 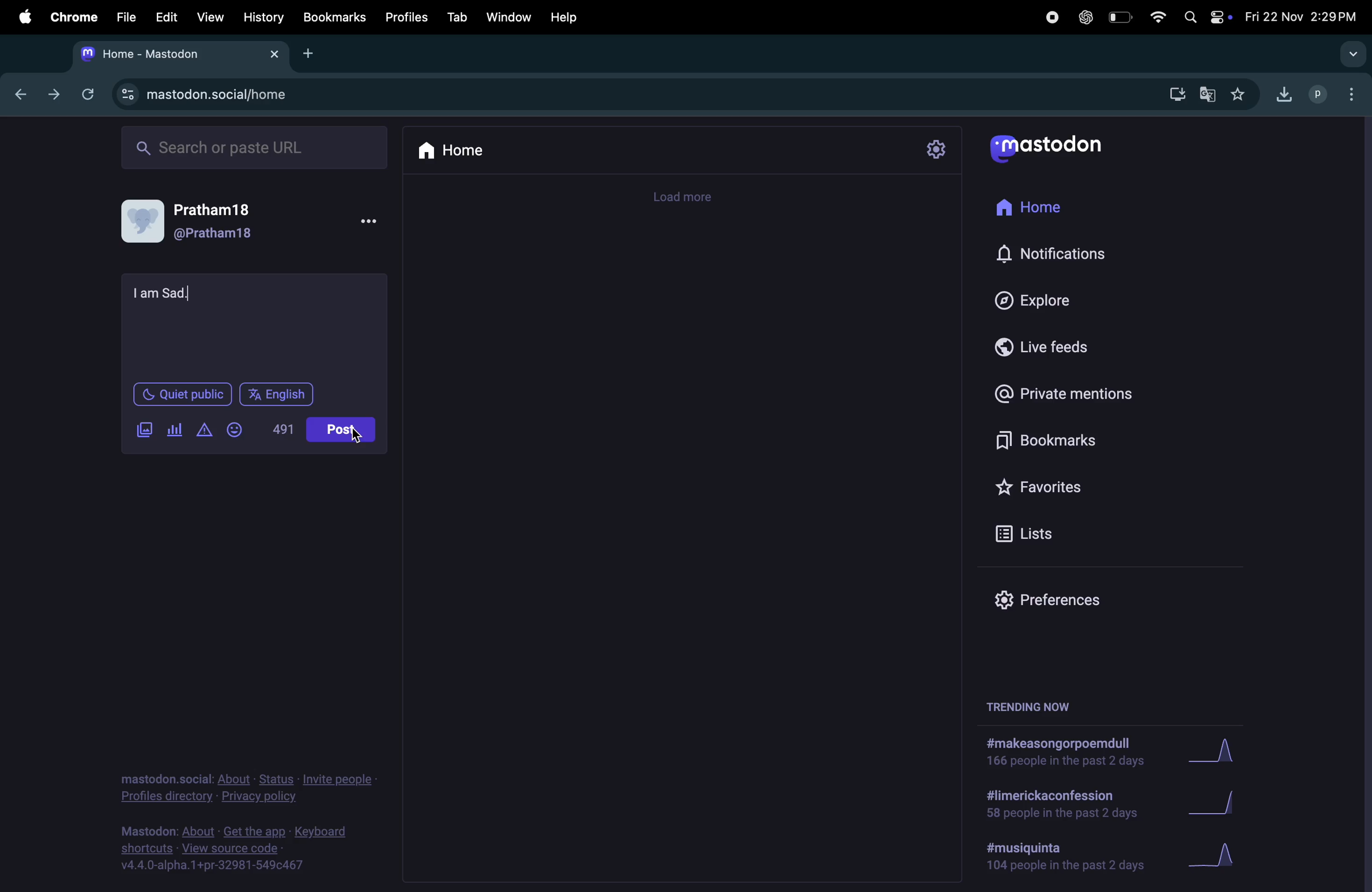 What do you see at coordinates (163, 54) in the screenshot?
I see `tabs` at bounding box center [163, 54].